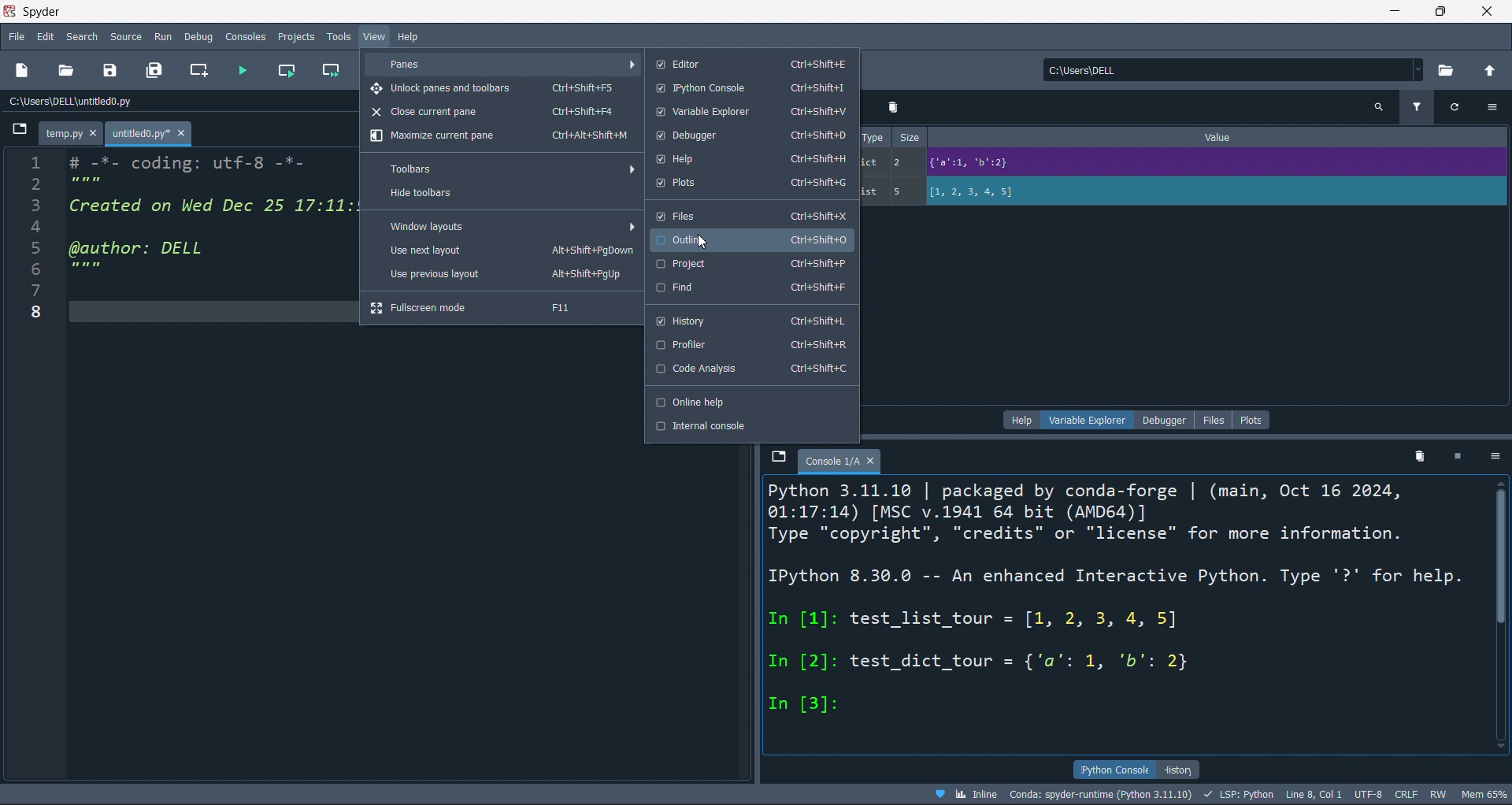  What do you see at coordinates (754, 111) in the screenshot?
I see `variable explorer` at bounding box center [754, 111].